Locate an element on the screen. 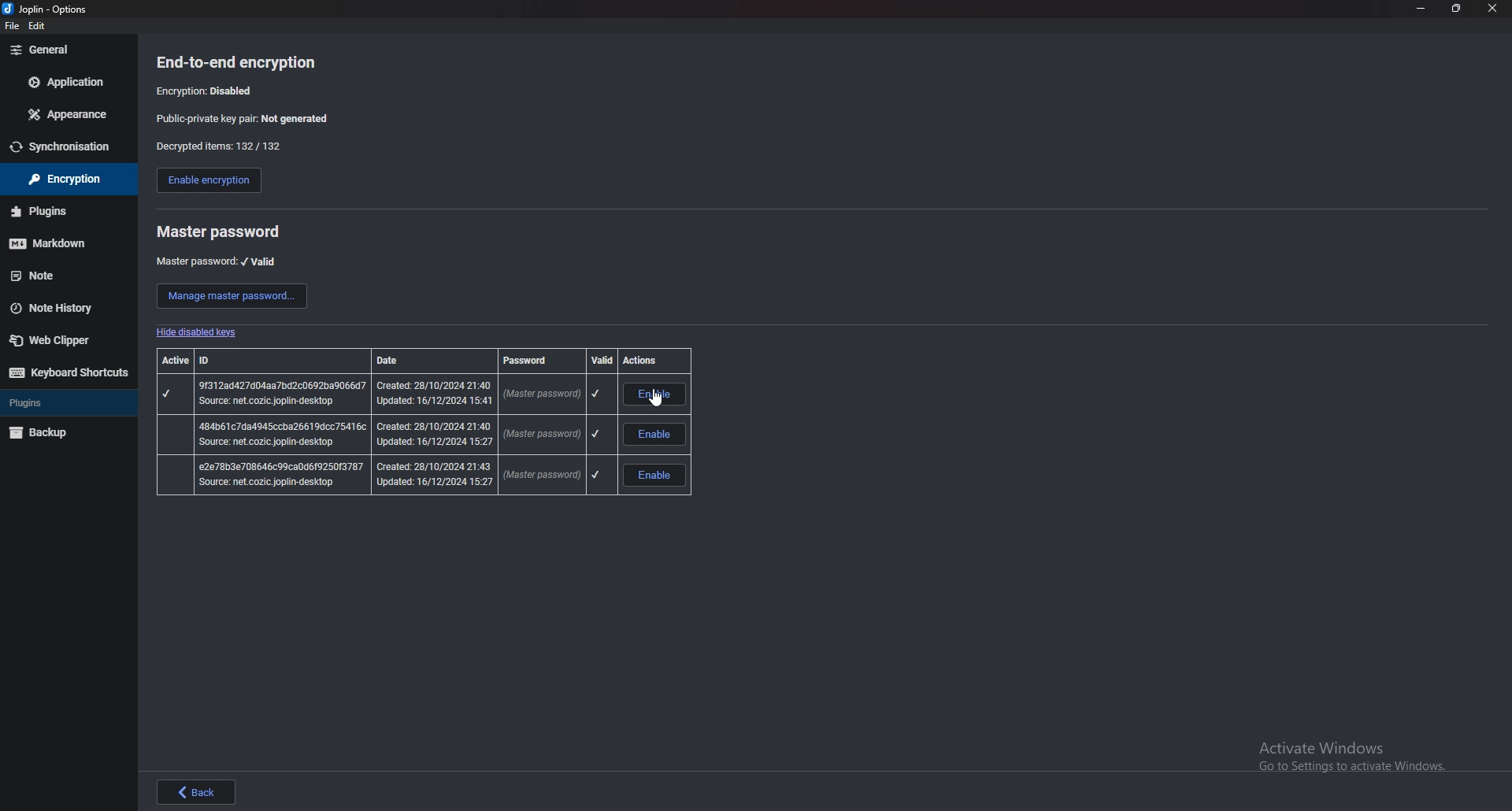  file is located at coordinates (11, 25).